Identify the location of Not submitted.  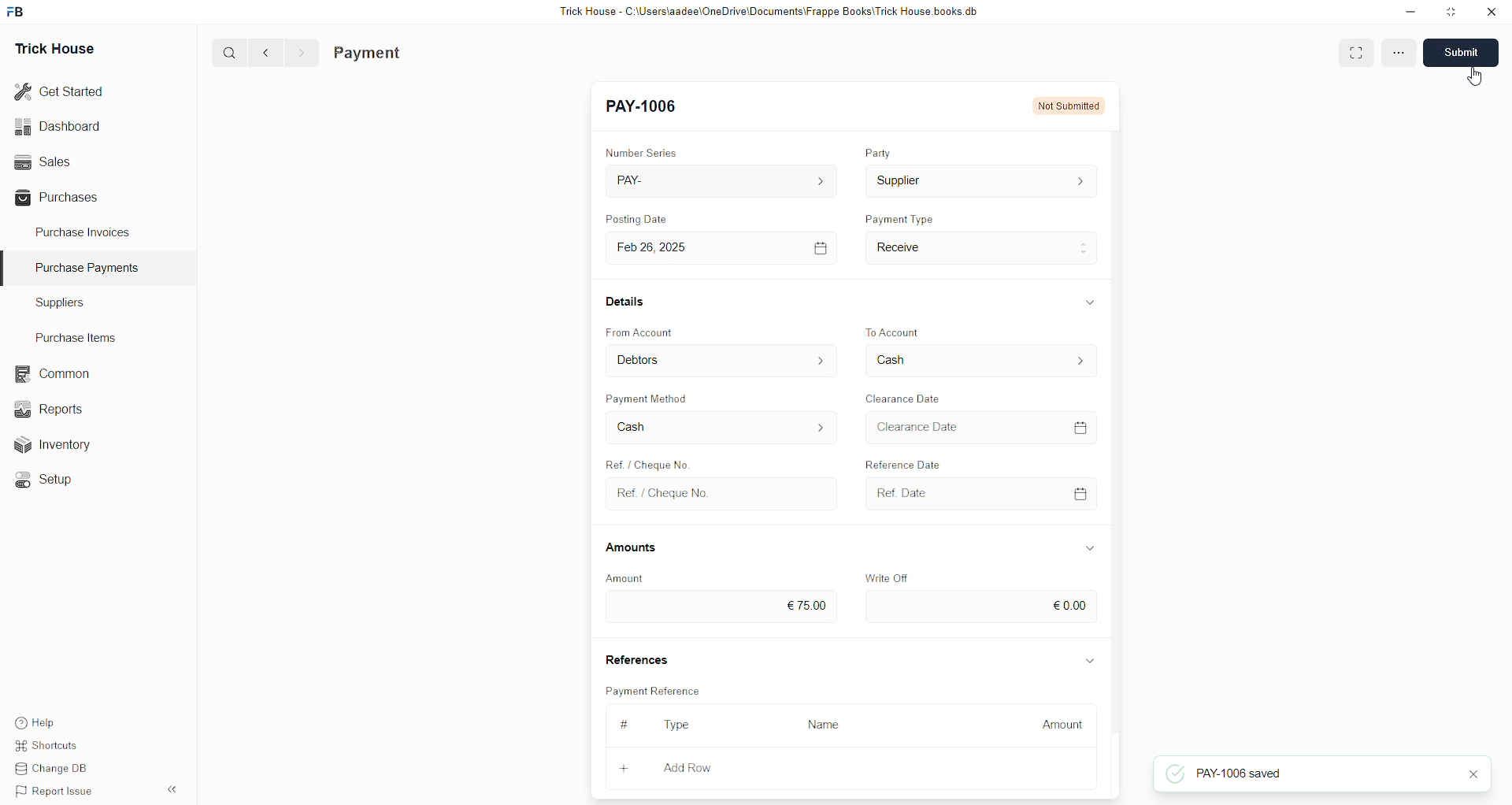
(1063, 104).